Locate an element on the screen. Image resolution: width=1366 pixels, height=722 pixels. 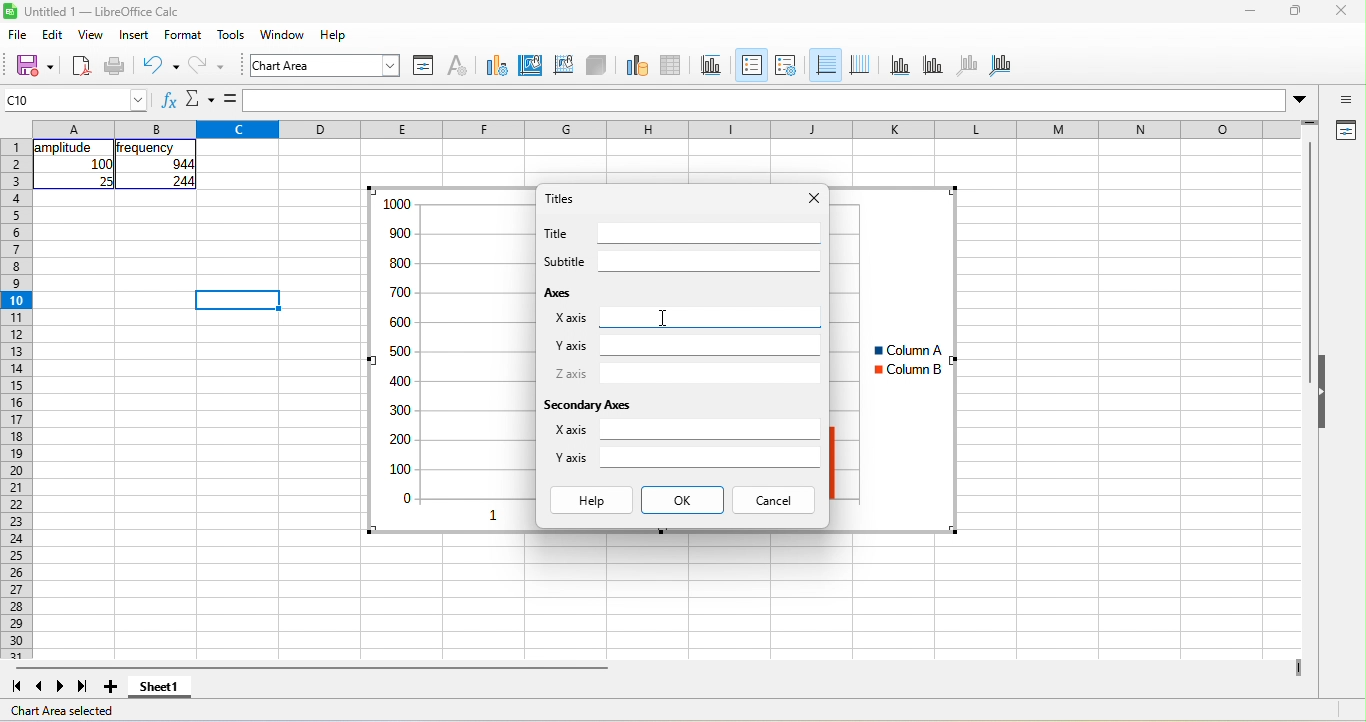
Title is located at coordinates (555, 233).